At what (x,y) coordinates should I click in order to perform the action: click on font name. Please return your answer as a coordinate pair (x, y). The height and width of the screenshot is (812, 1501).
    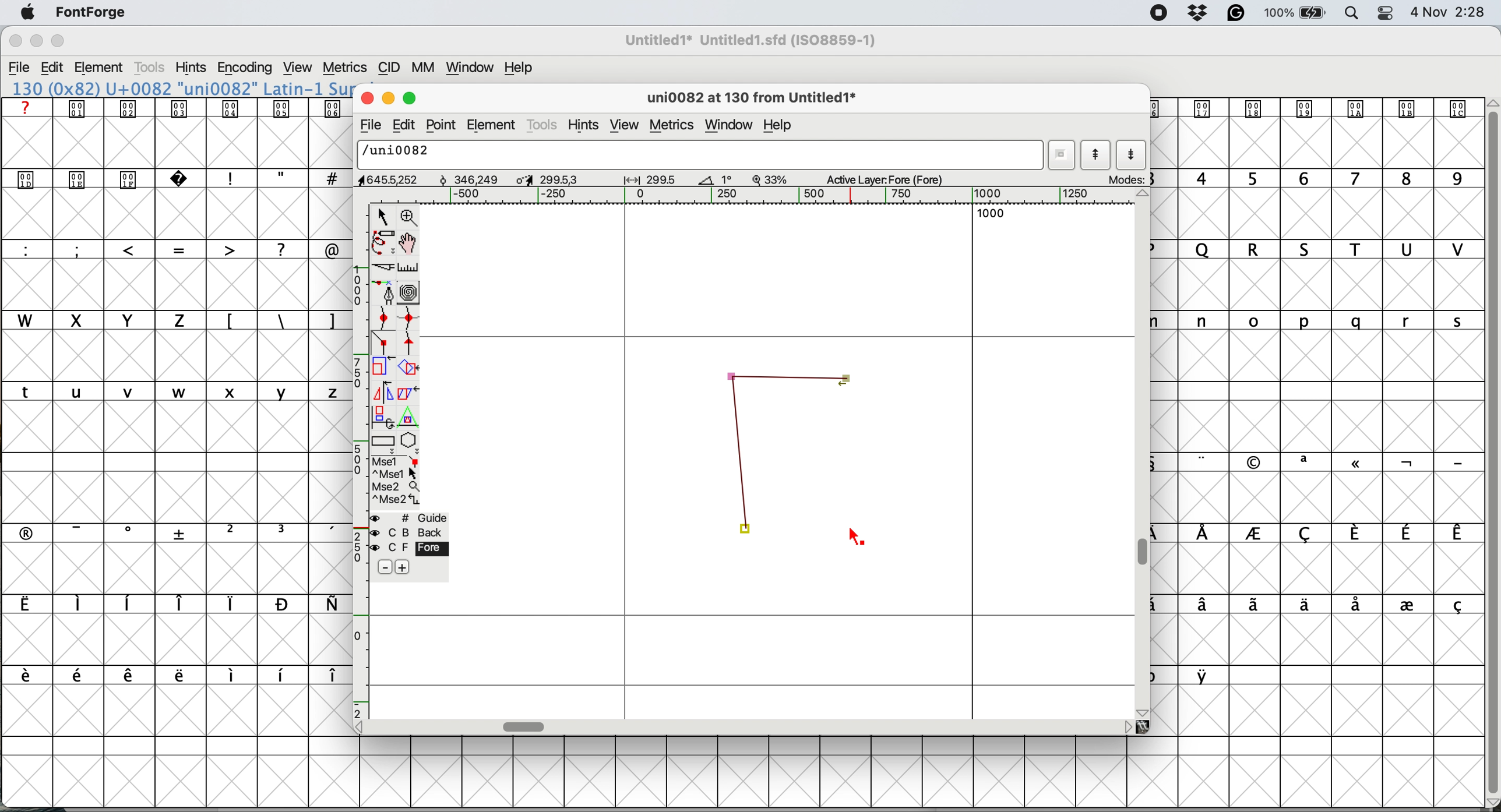
    Looking at the image, I should click on (179, 89).